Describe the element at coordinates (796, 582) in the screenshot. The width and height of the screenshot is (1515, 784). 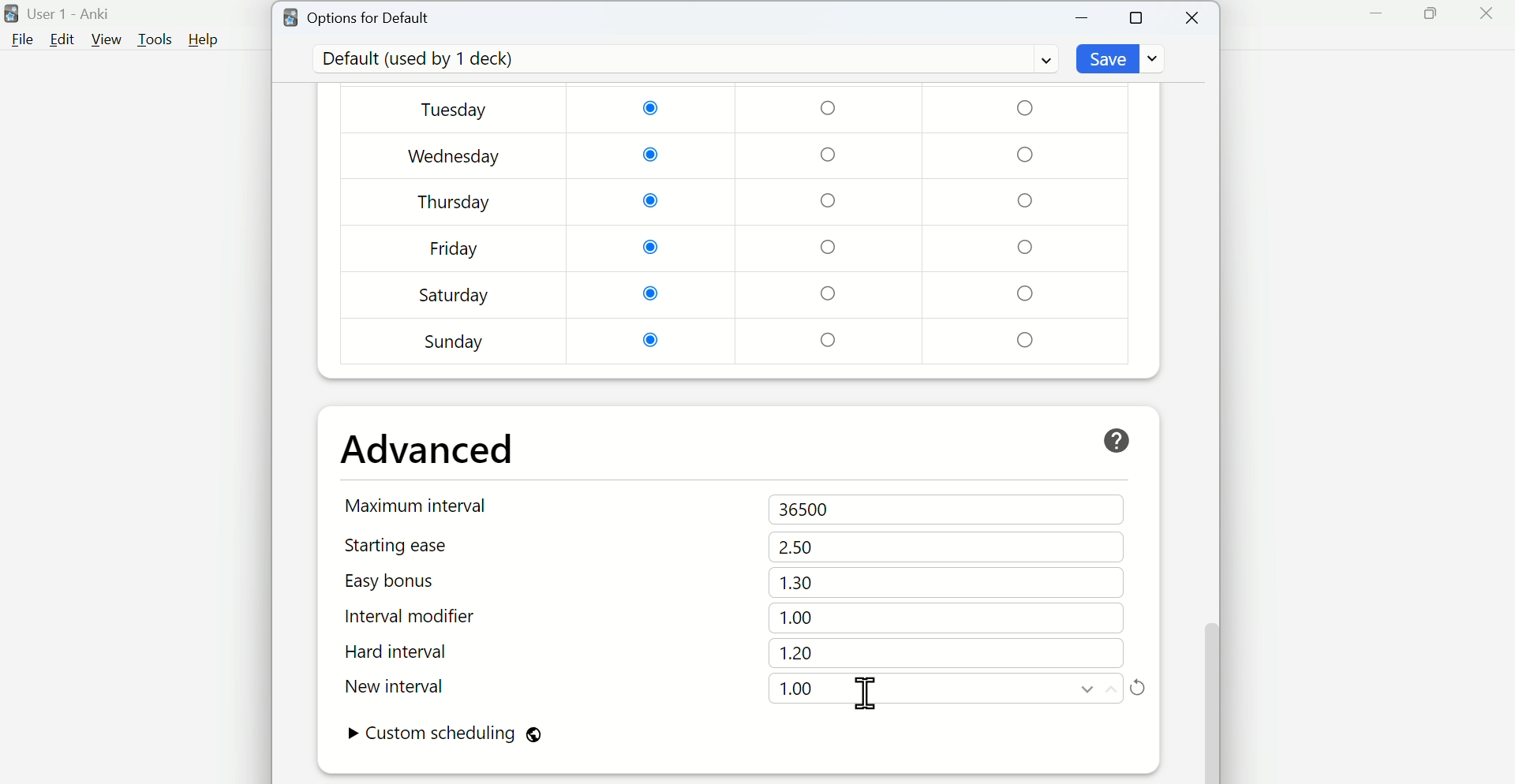
I see `1.30` at that location.